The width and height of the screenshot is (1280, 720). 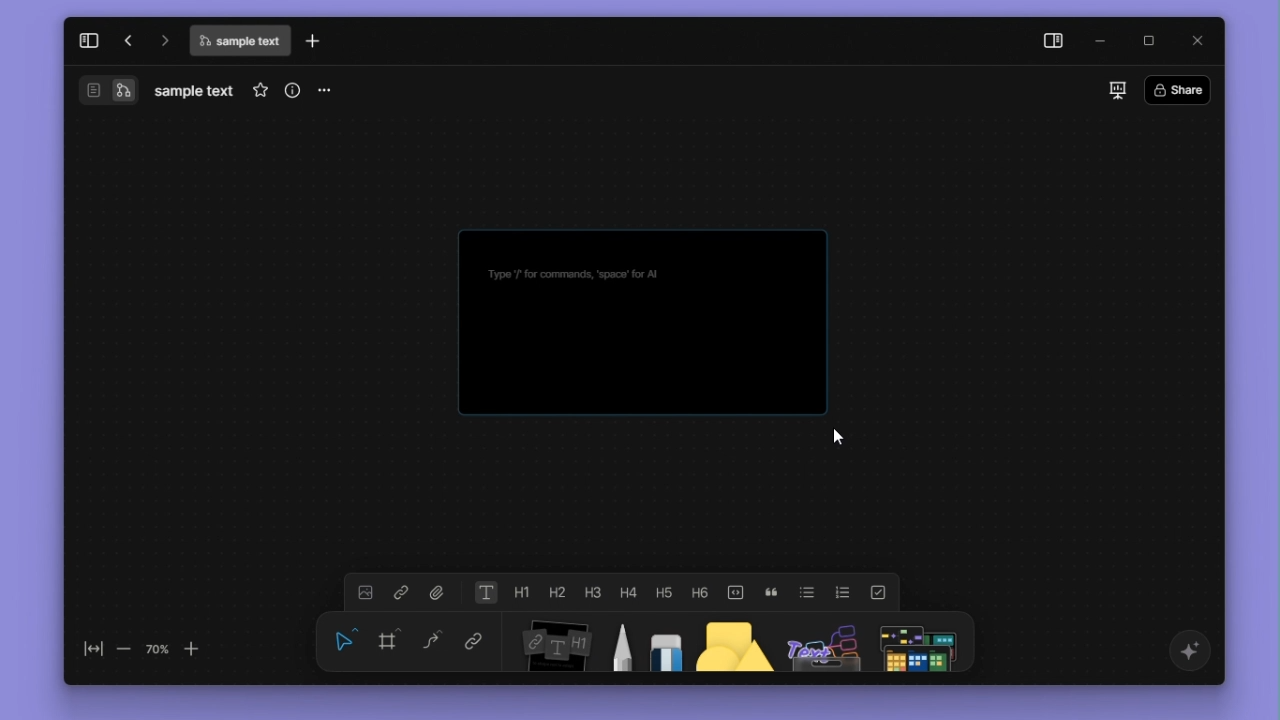 I want to click on heading 5, so click(x=664, y=591).